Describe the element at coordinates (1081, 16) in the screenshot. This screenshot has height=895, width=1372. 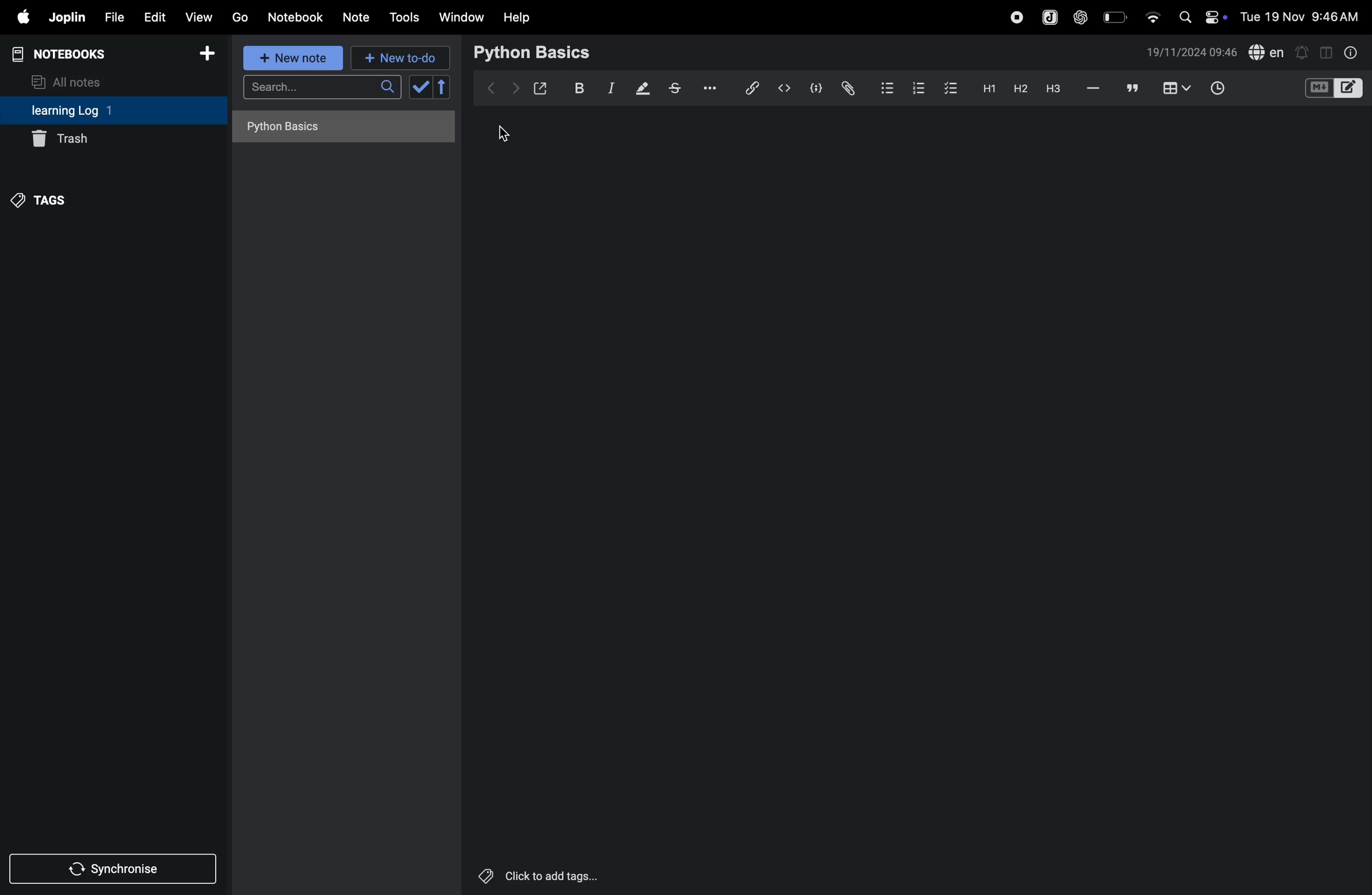
I see `chatgpt` at that location.